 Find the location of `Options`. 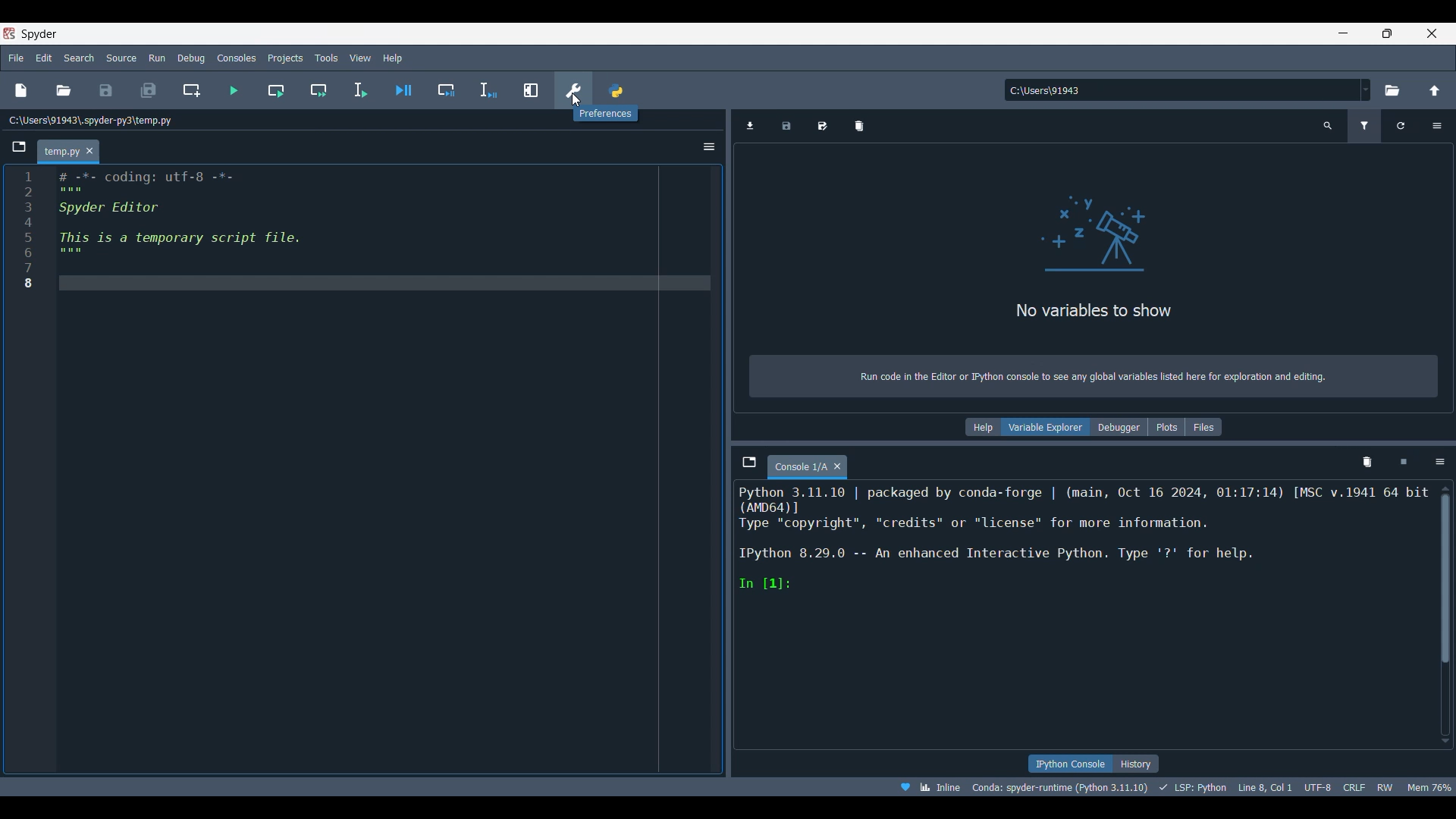

Options is located at coordinates (709, 146).